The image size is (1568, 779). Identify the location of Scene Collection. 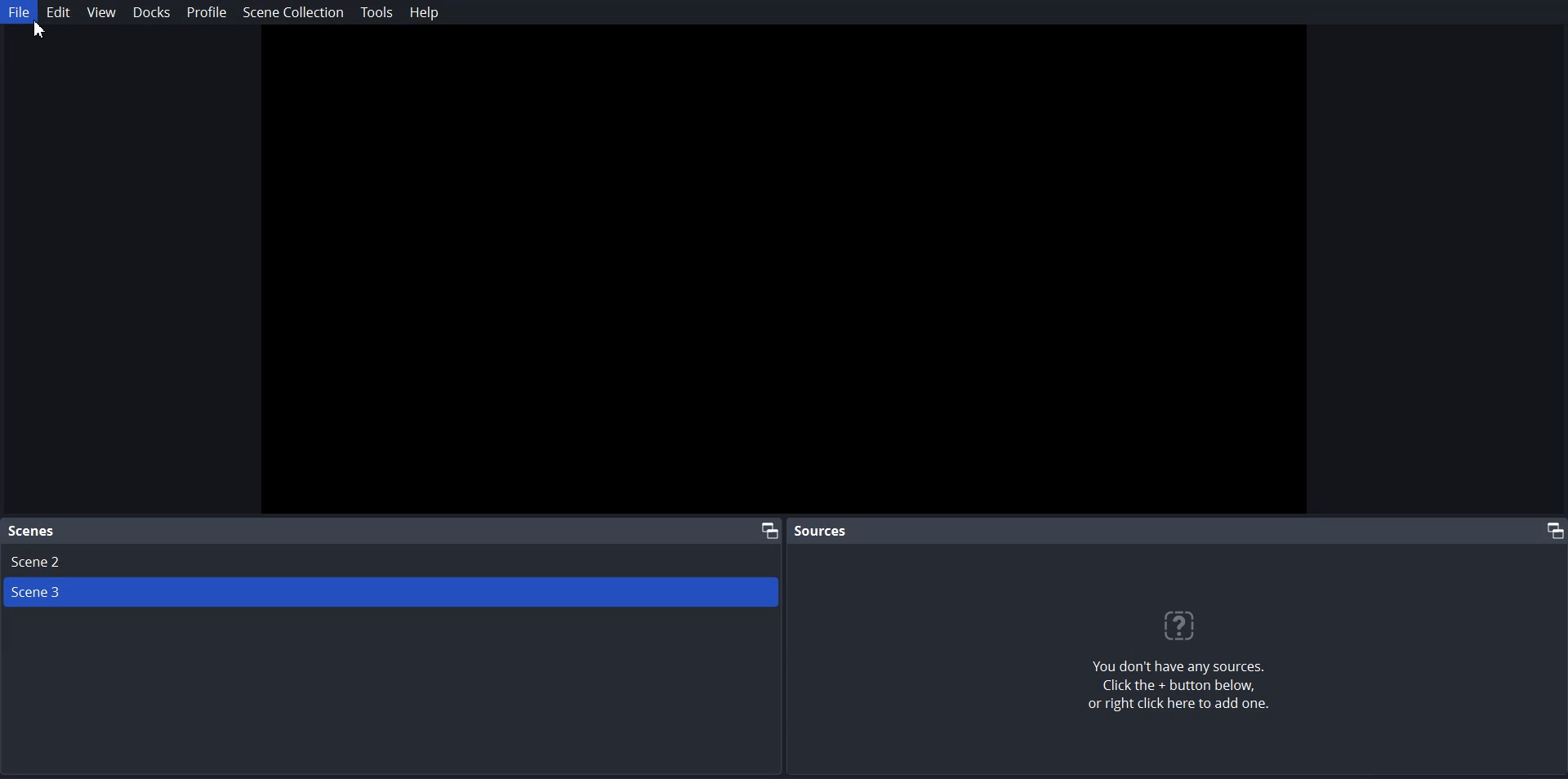
(293, 12).